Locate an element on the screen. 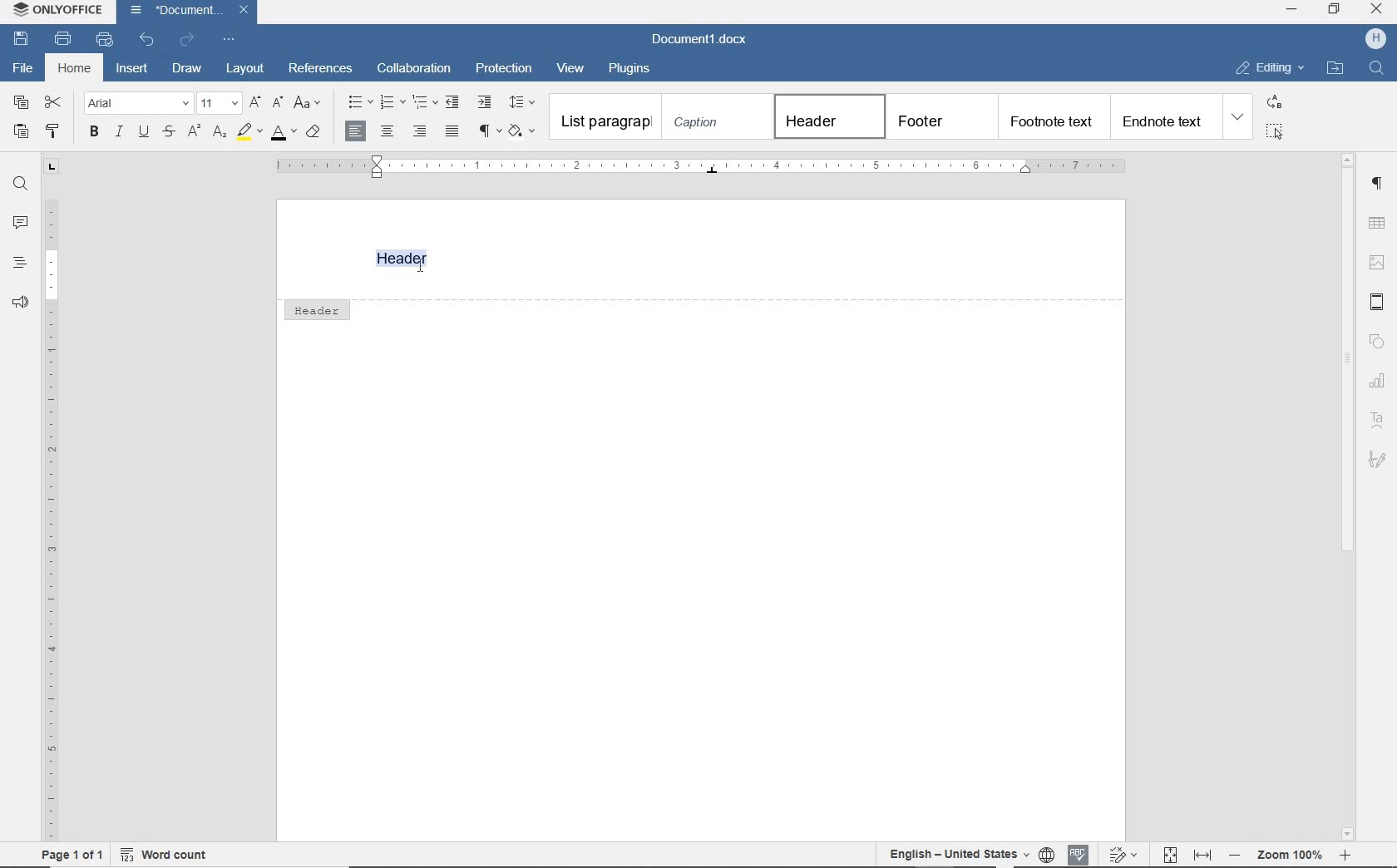  close is located at coordinates (244, 10).